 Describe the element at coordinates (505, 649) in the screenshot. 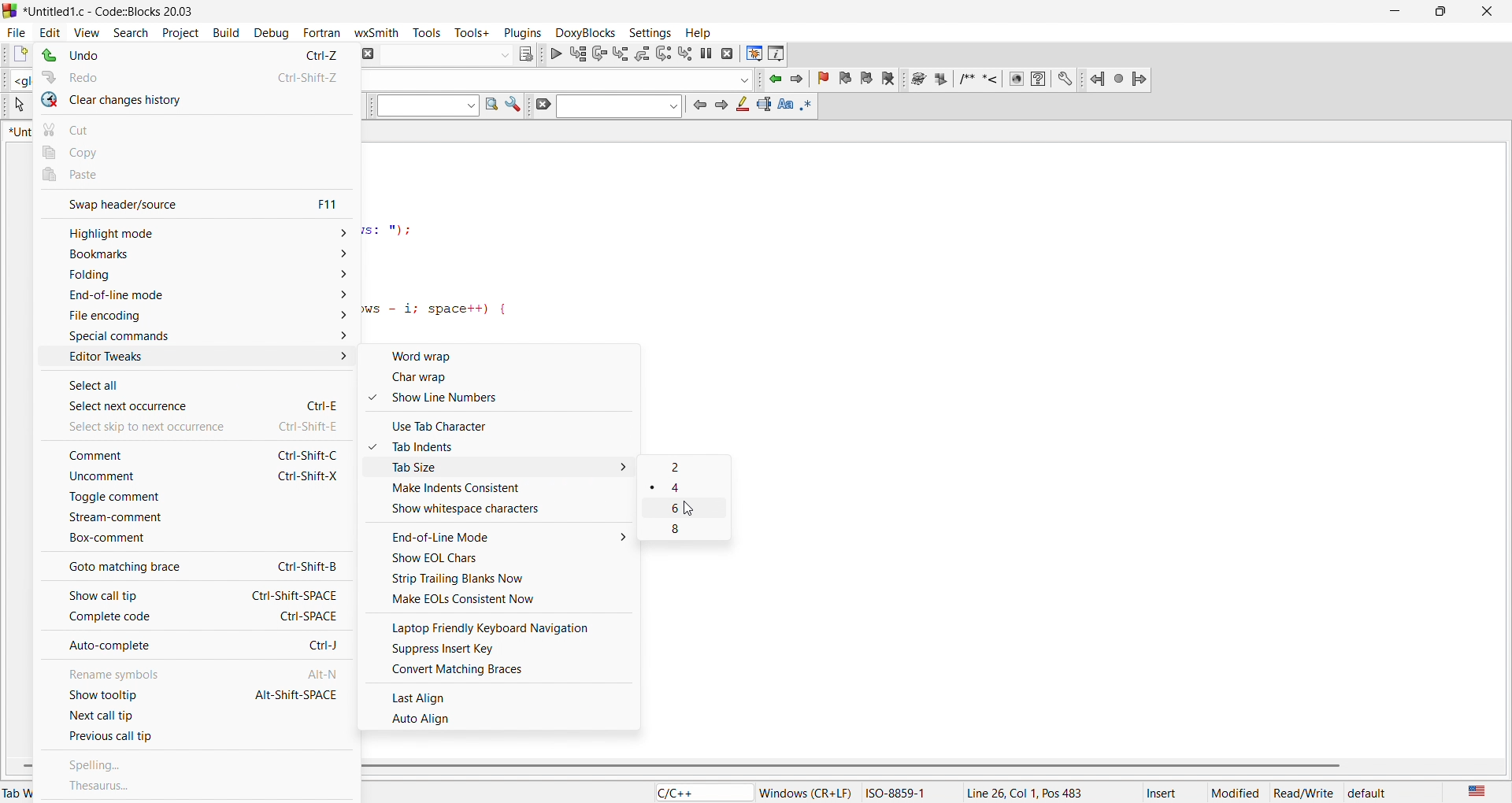

I see `supress insert key` at that location.